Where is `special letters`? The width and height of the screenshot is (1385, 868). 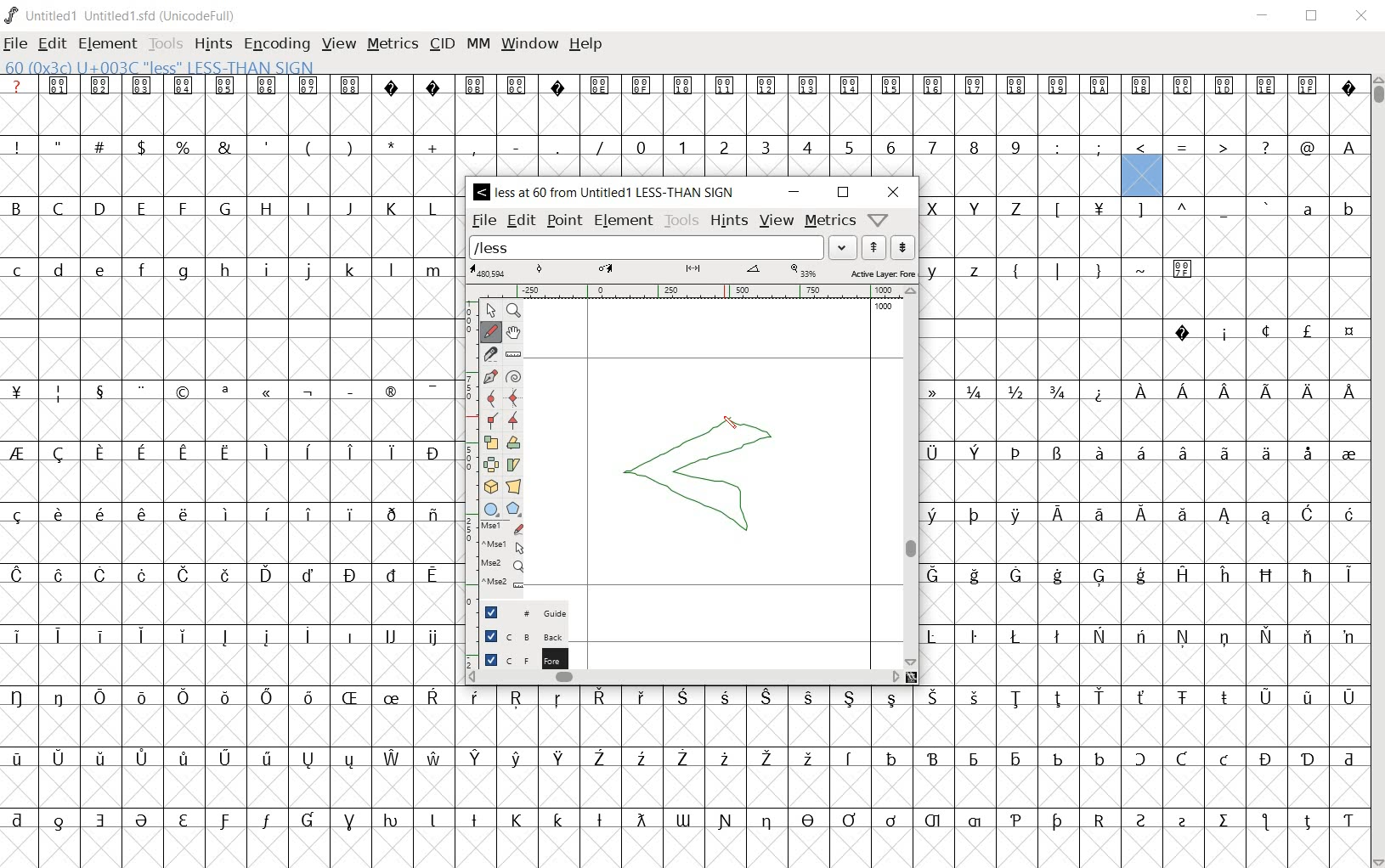
special letters is located at coordinates (1222, 391).